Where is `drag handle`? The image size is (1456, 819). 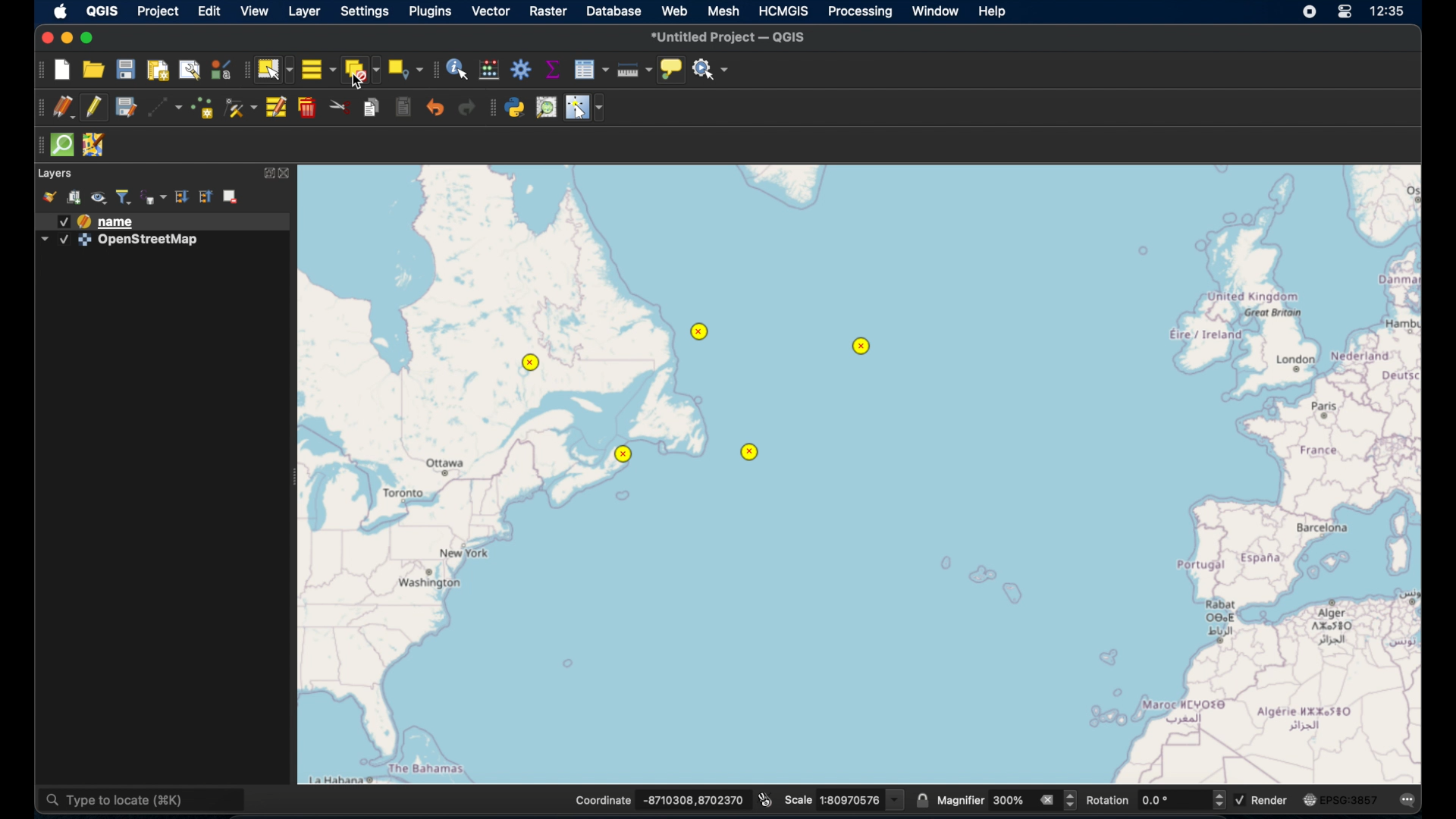
drag handle is located at coordinates (36, 146).